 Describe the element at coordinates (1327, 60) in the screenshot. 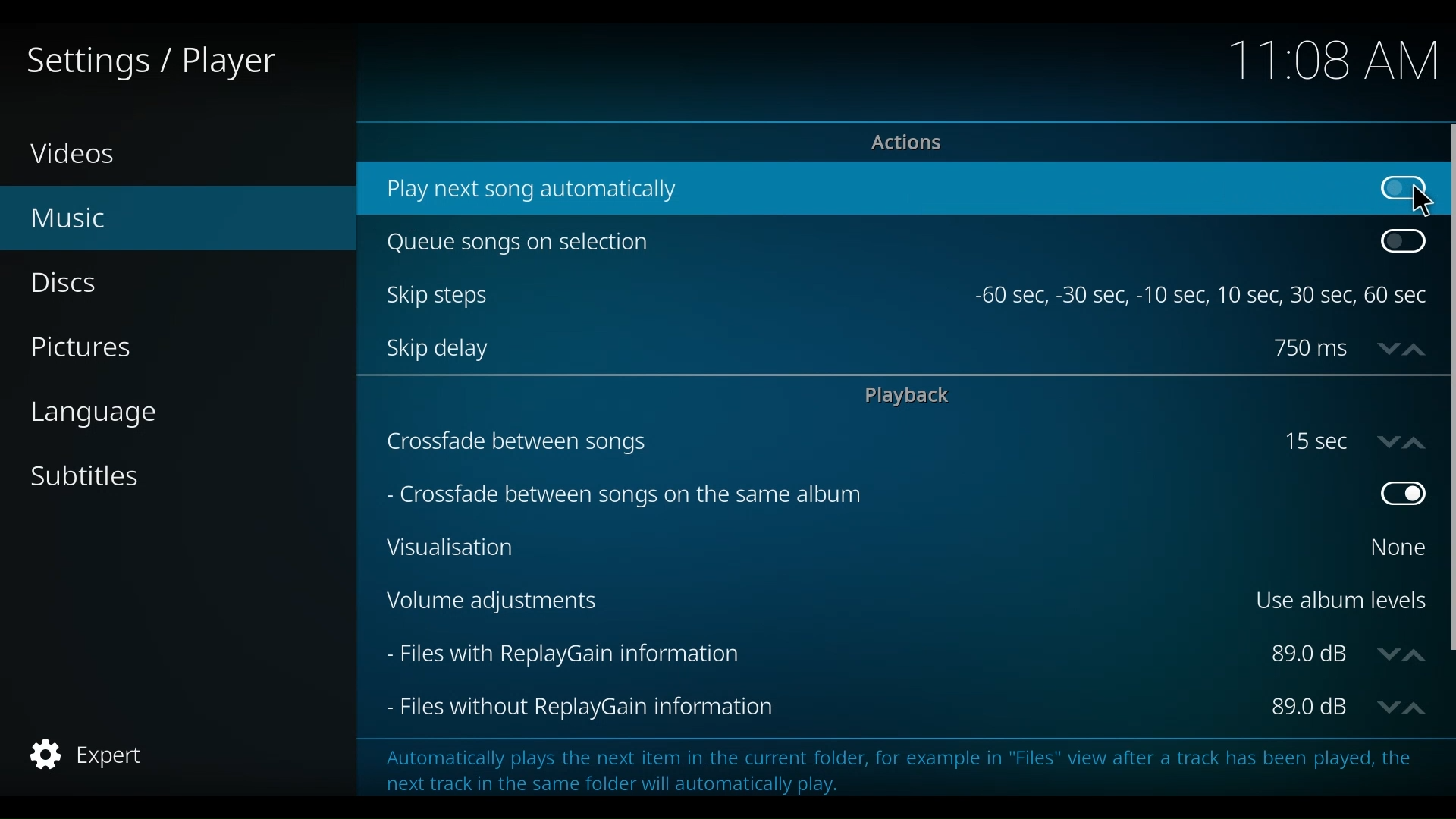

I see `time` at that location.